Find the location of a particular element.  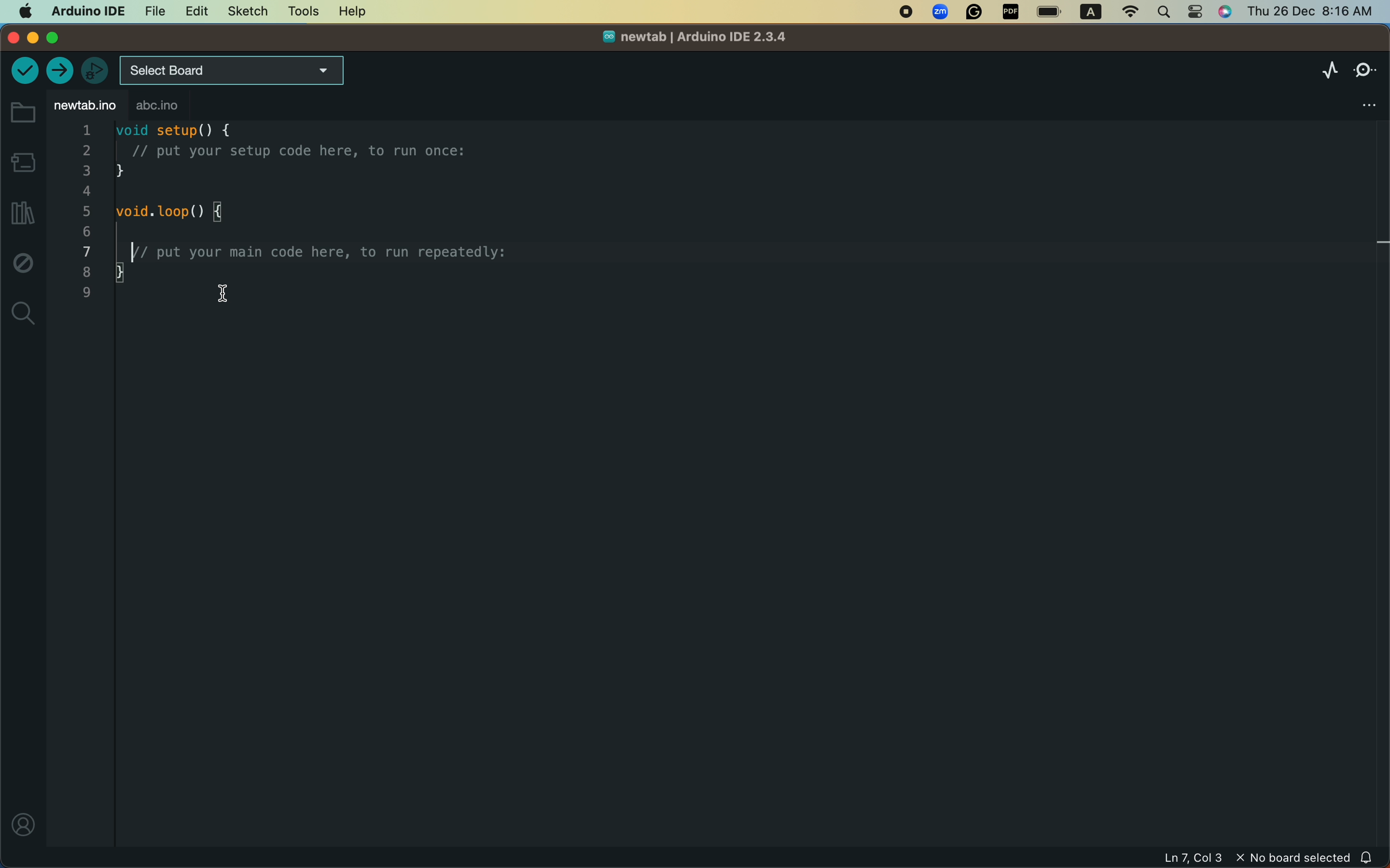

file tab is located at coordinates (84, 106).